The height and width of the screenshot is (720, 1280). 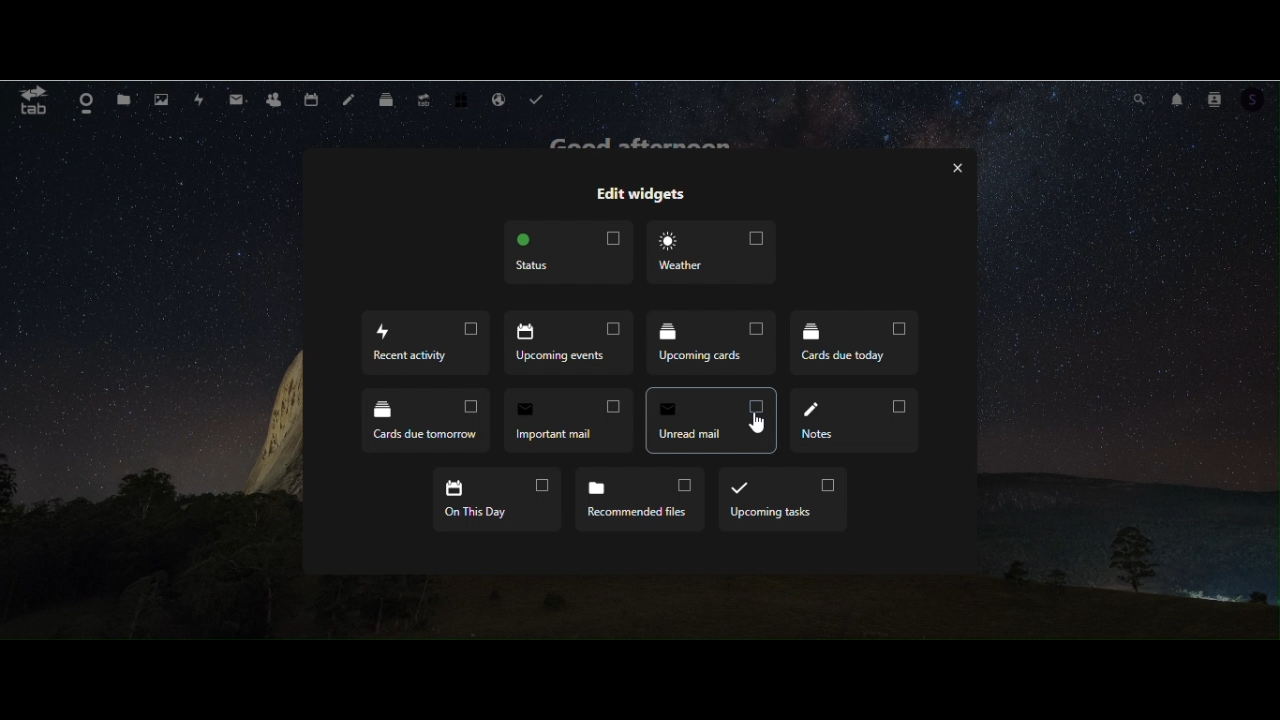 I want to click on Important mail, so click(x=567, y=423).